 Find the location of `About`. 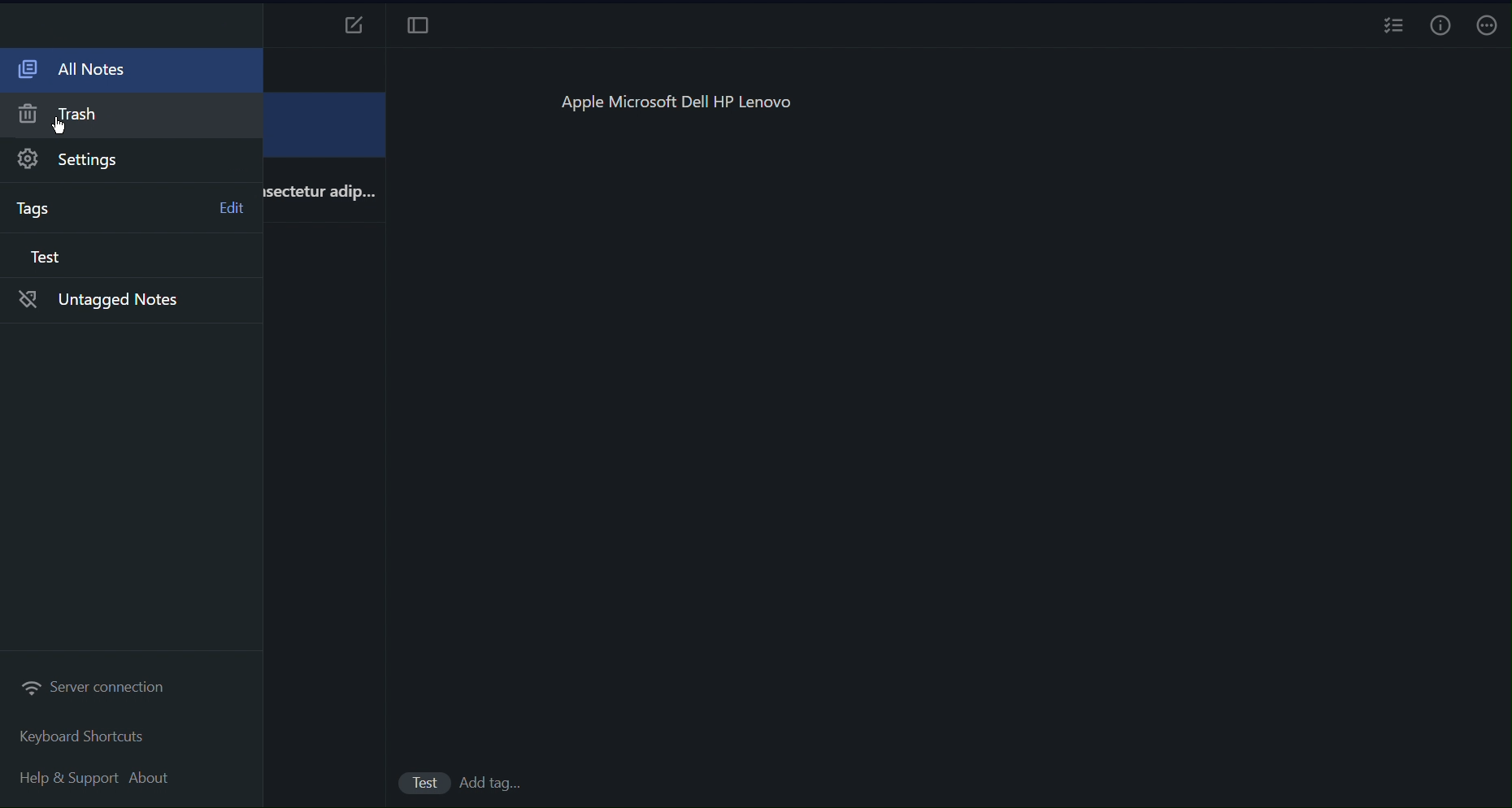

About is located at coordinates (154, 776).